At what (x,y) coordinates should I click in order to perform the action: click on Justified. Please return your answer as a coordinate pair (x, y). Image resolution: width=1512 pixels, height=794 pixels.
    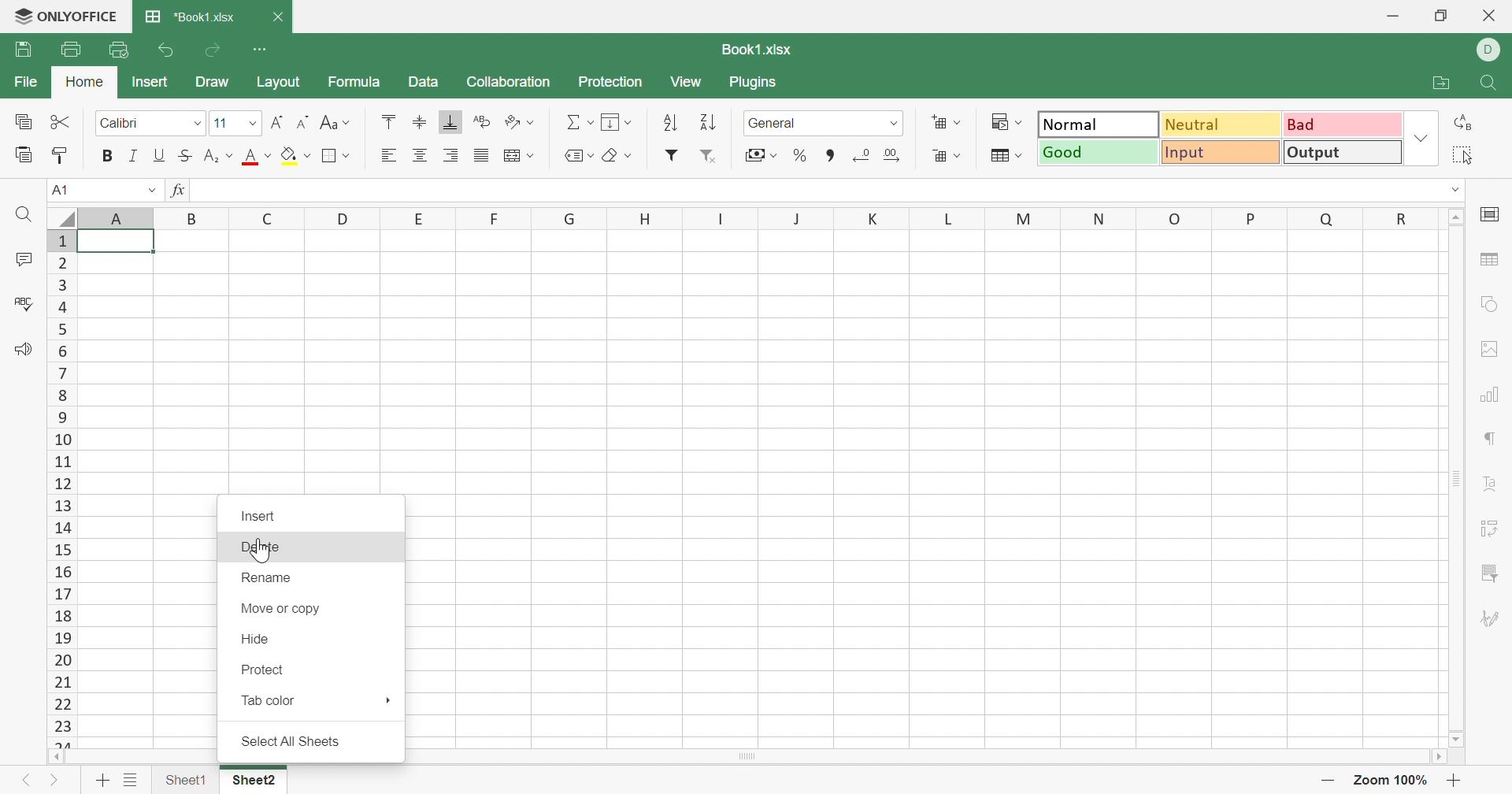
    Looking at the image, I should click on (480, 157).